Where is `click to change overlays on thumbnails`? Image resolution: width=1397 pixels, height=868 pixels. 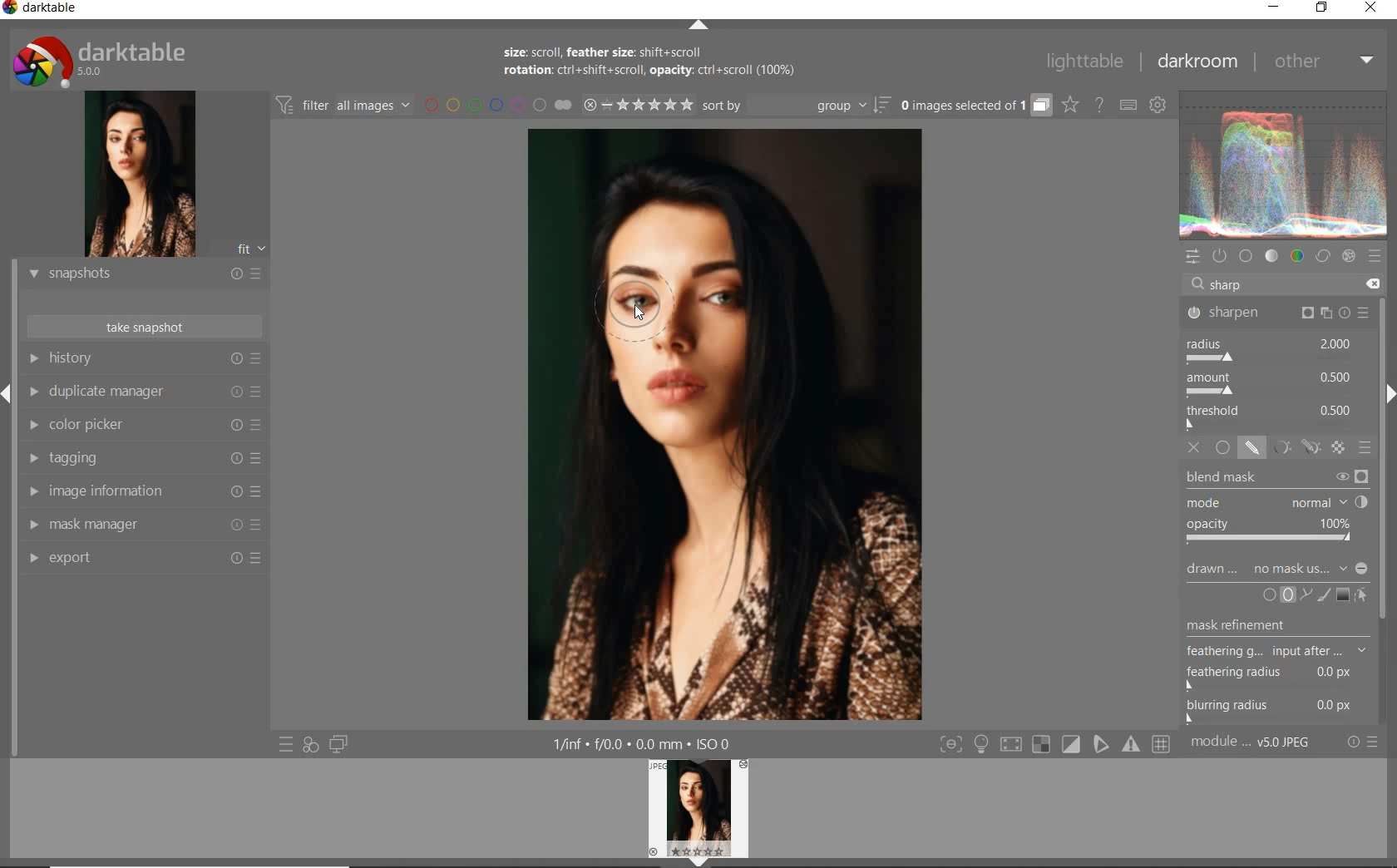 click to change overlays on thumbnails is located at coordinates (1071, 106).